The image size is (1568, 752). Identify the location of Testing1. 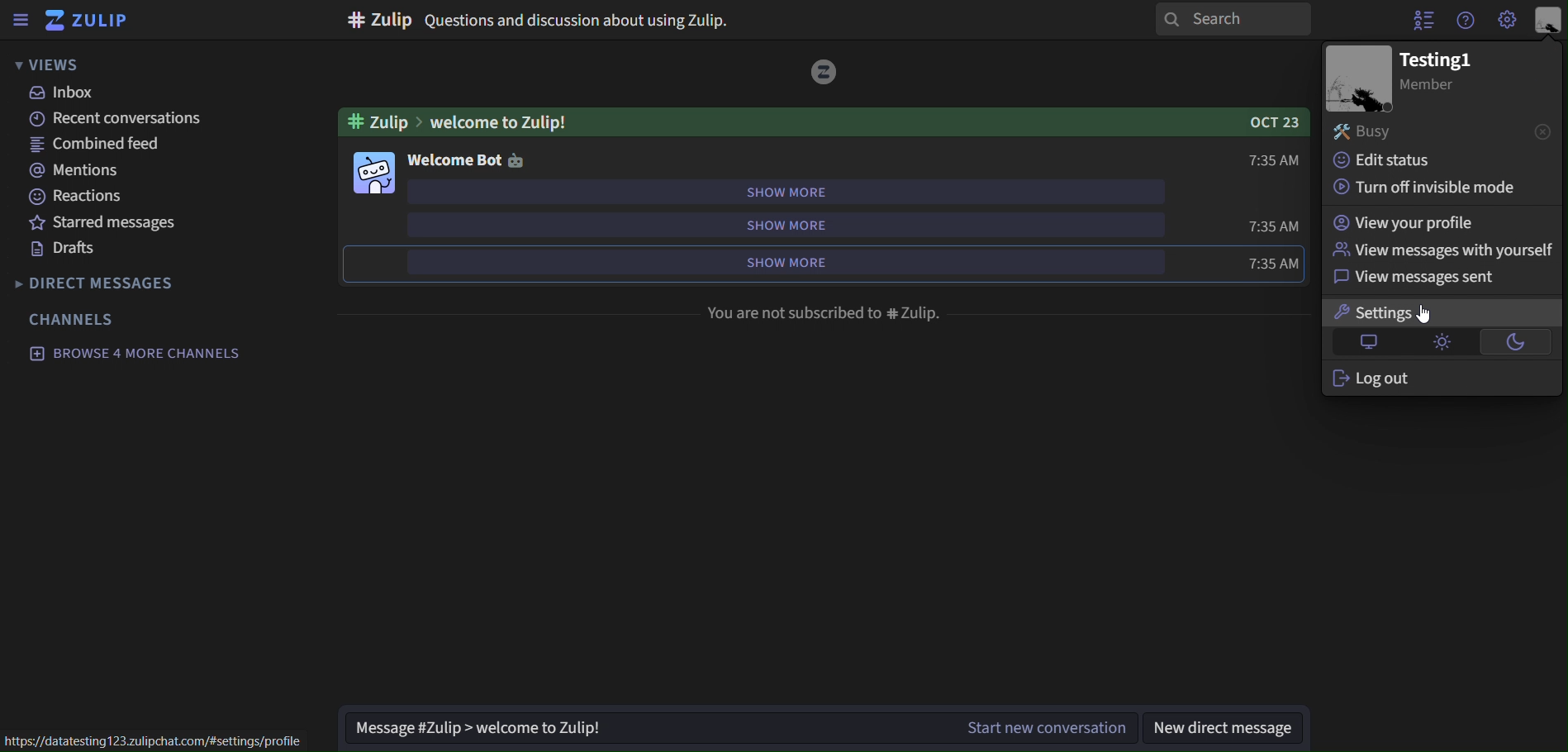
(1442, 59).